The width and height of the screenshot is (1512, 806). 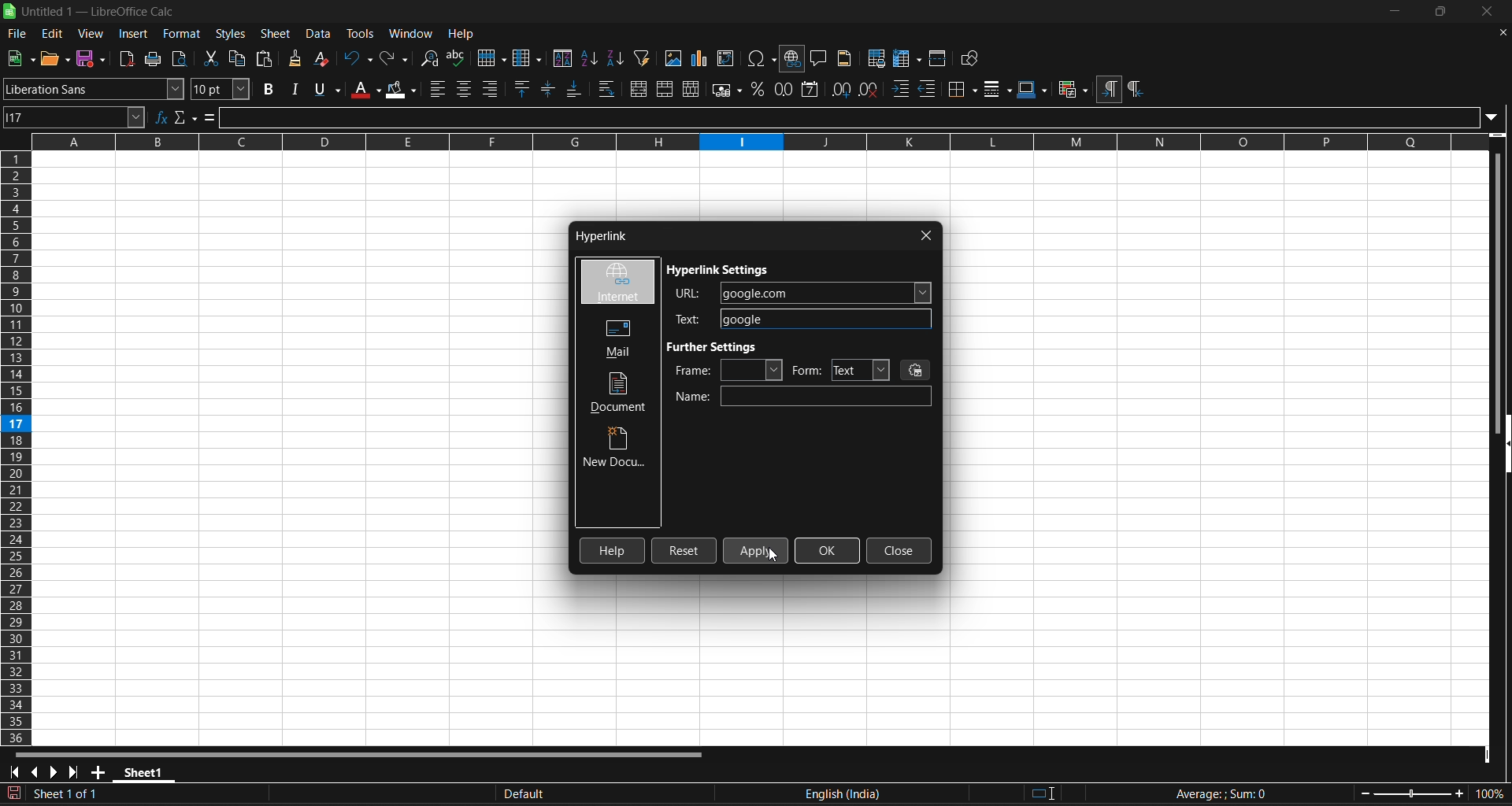 I want to click on wrap text, so click(x=608, y=89).